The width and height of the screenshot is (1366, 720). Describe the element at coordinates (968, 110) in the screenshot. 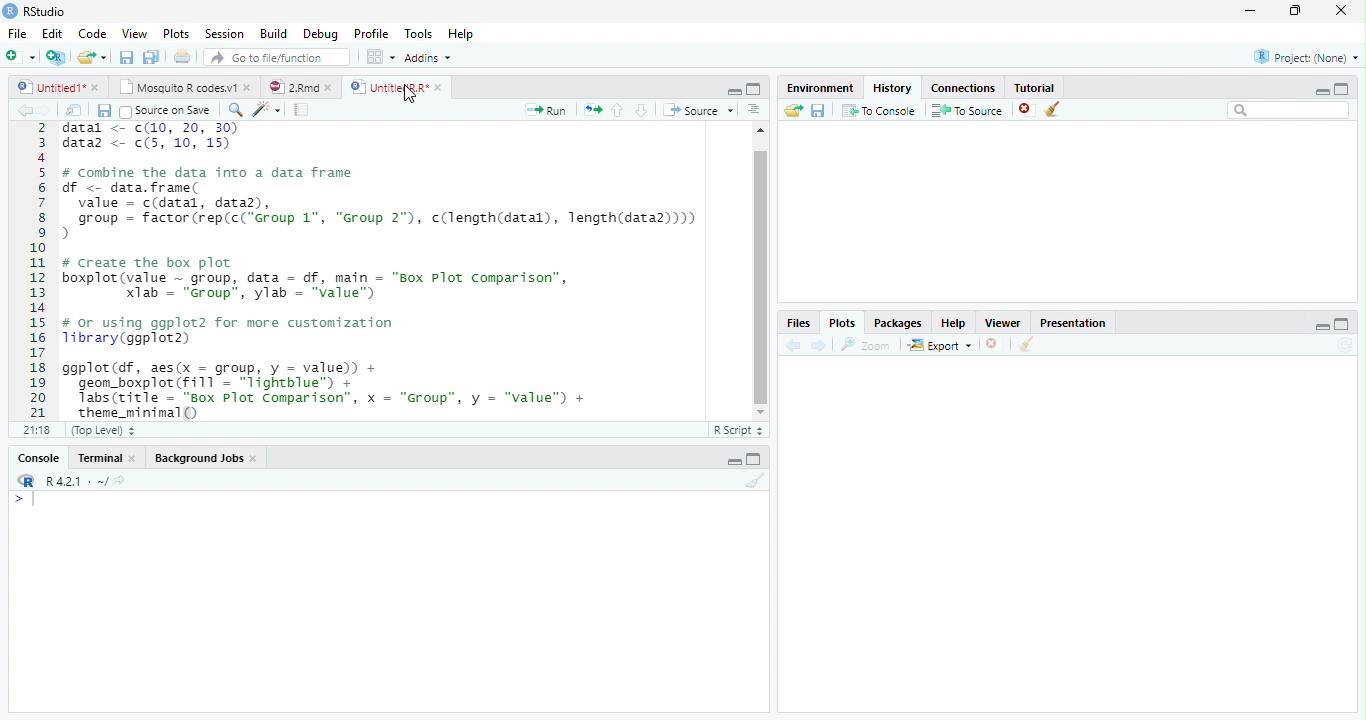

I see `To Source` at that location.